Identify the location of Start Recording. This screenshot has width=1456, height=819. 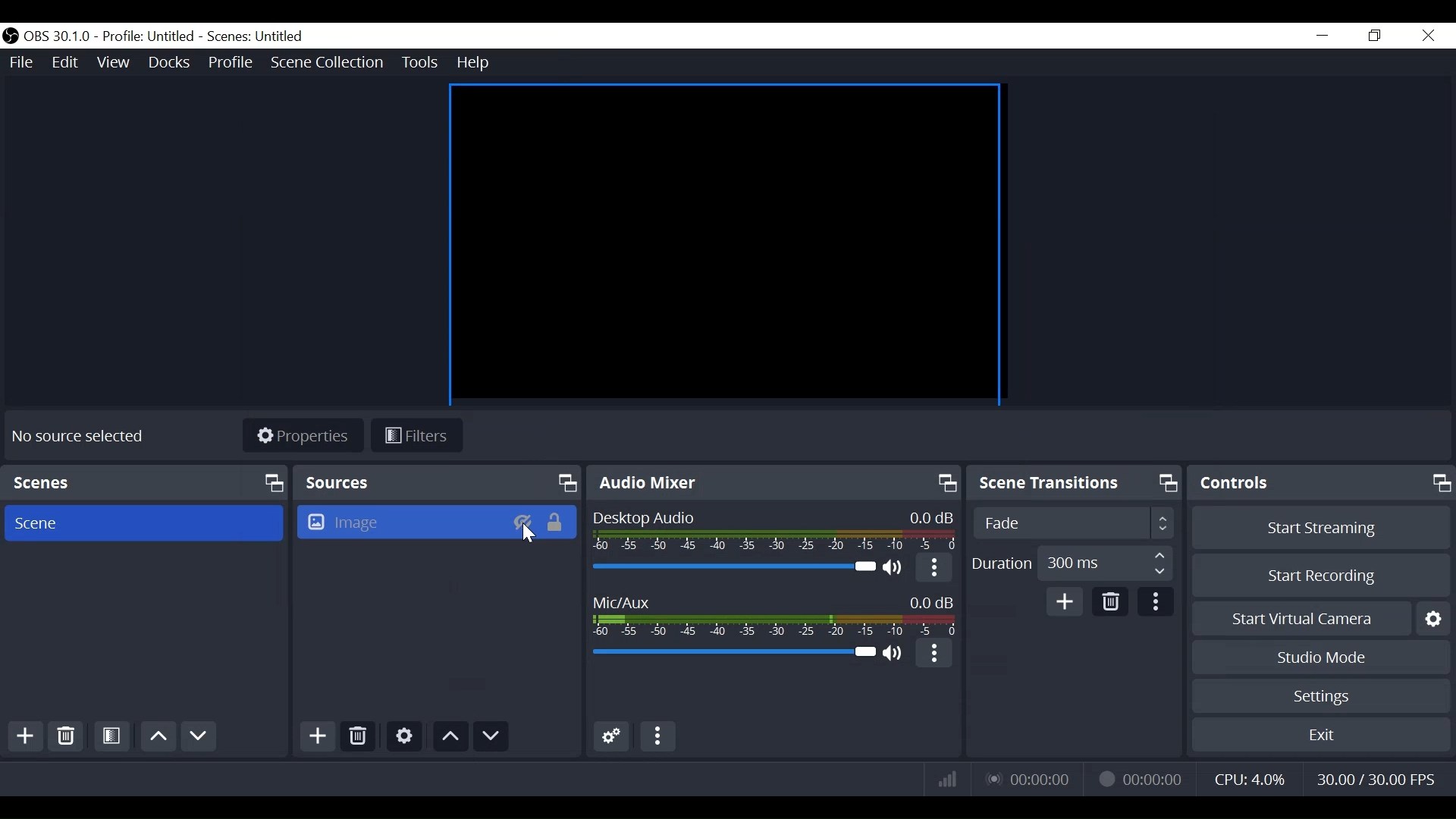
(1322, 577).